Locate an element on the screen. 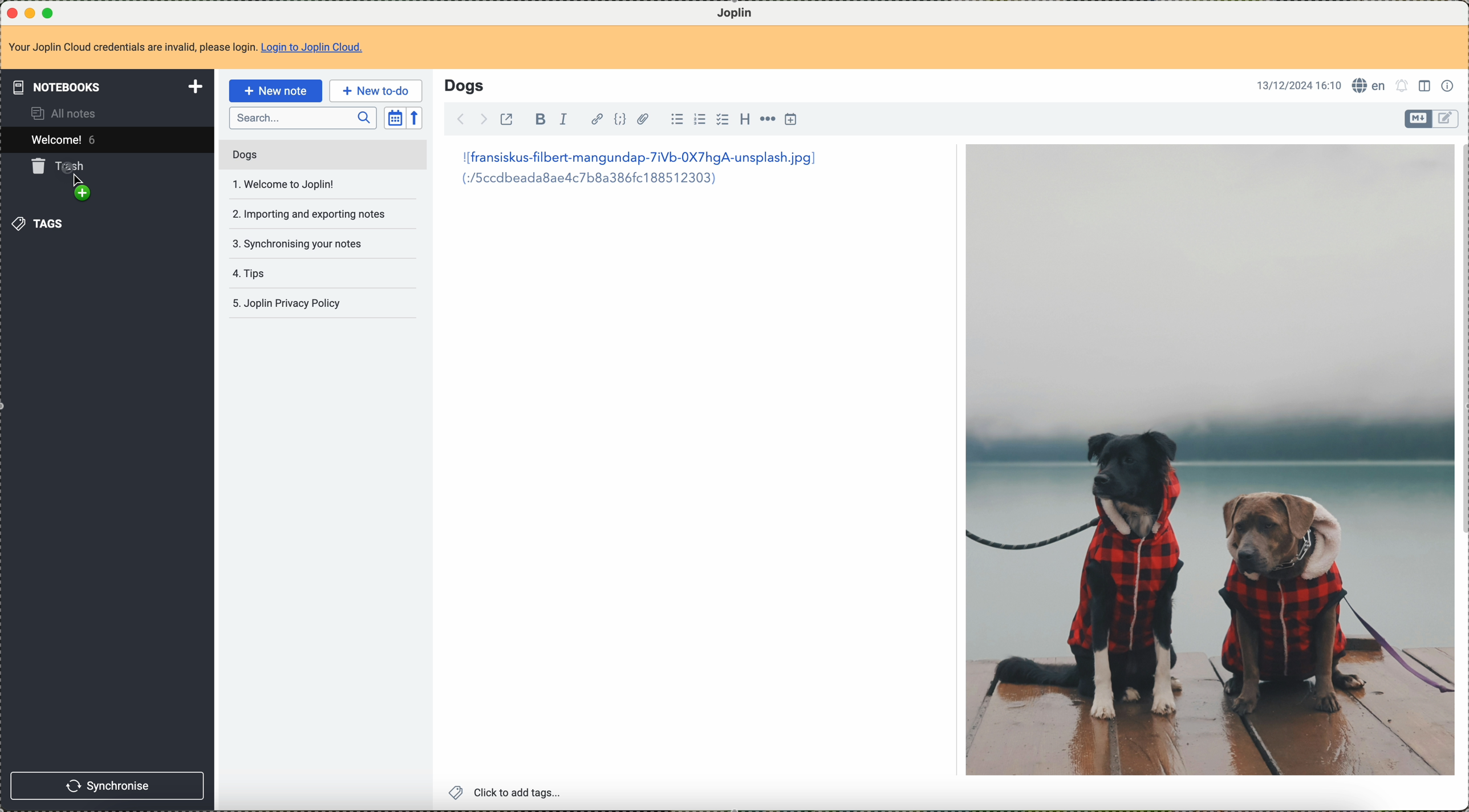 The height and width of the screenshot is (812, 1469). synchronising your notes is located at coordinates (301, 243).